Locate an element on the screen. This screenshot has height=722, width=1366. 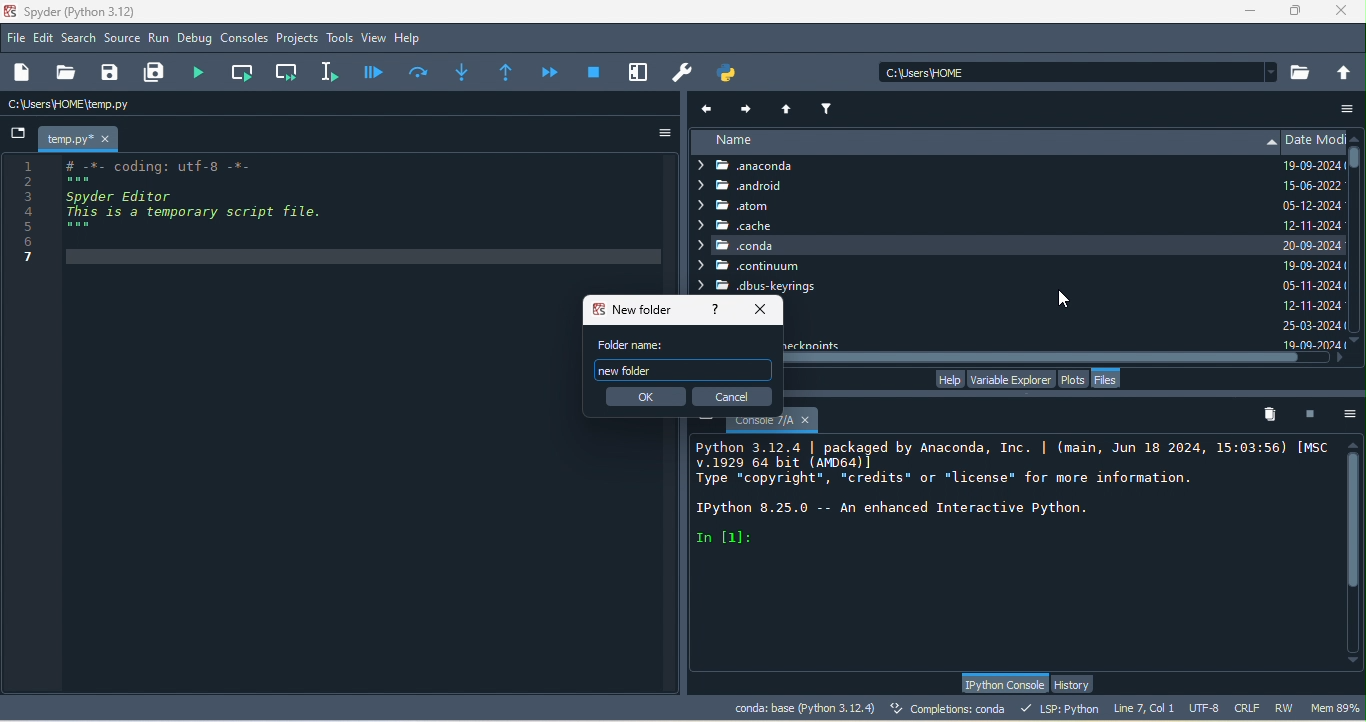
run current cell and go to the next one is located at coordinates (288, 71).